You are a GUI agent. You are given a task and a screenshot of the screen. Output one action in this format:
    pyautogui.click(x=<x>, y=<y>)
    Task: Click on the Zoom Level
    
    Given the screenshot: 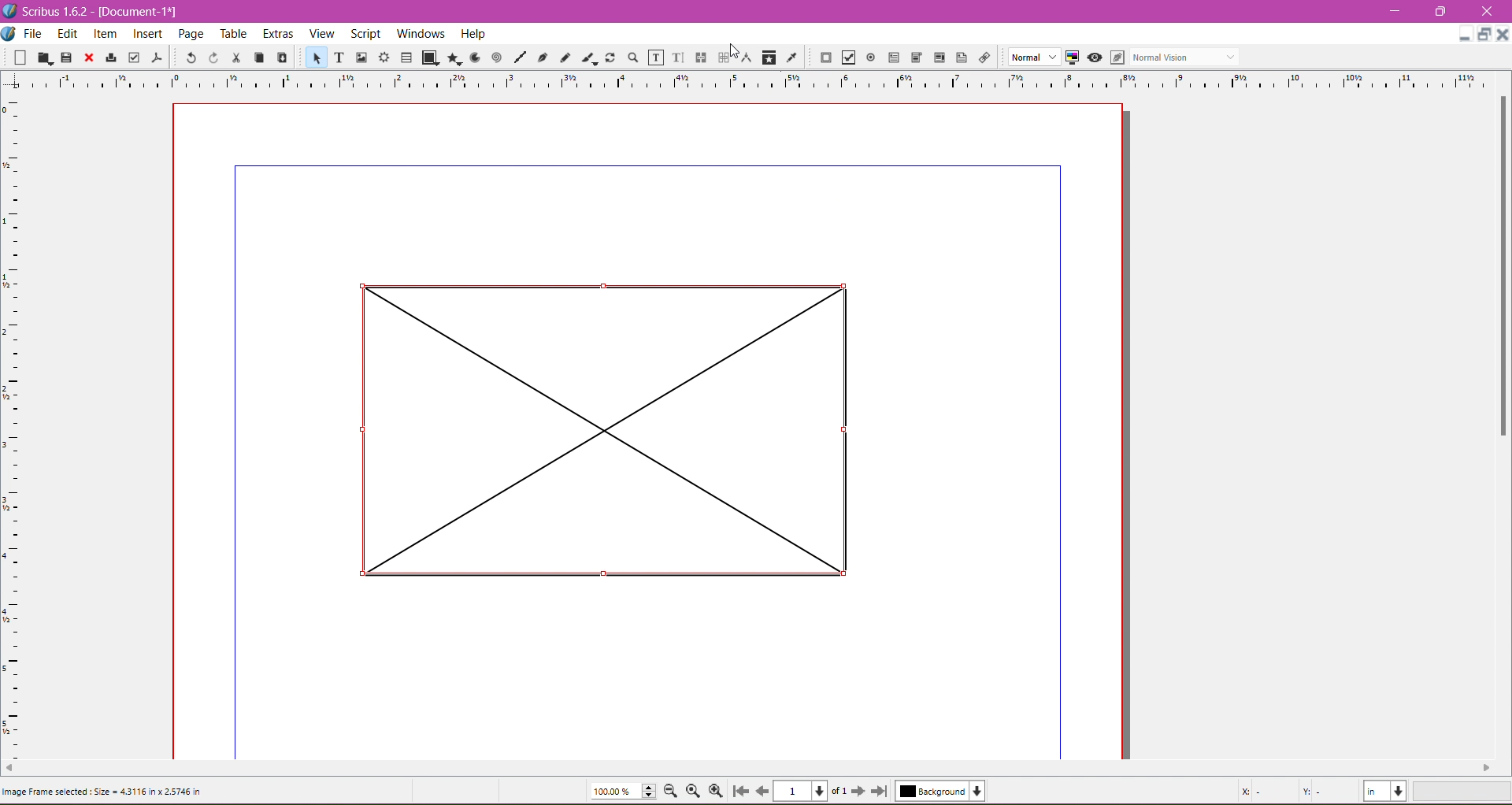 What is the action you would take?
    pyautogui.click(x=1464, y=792)
    